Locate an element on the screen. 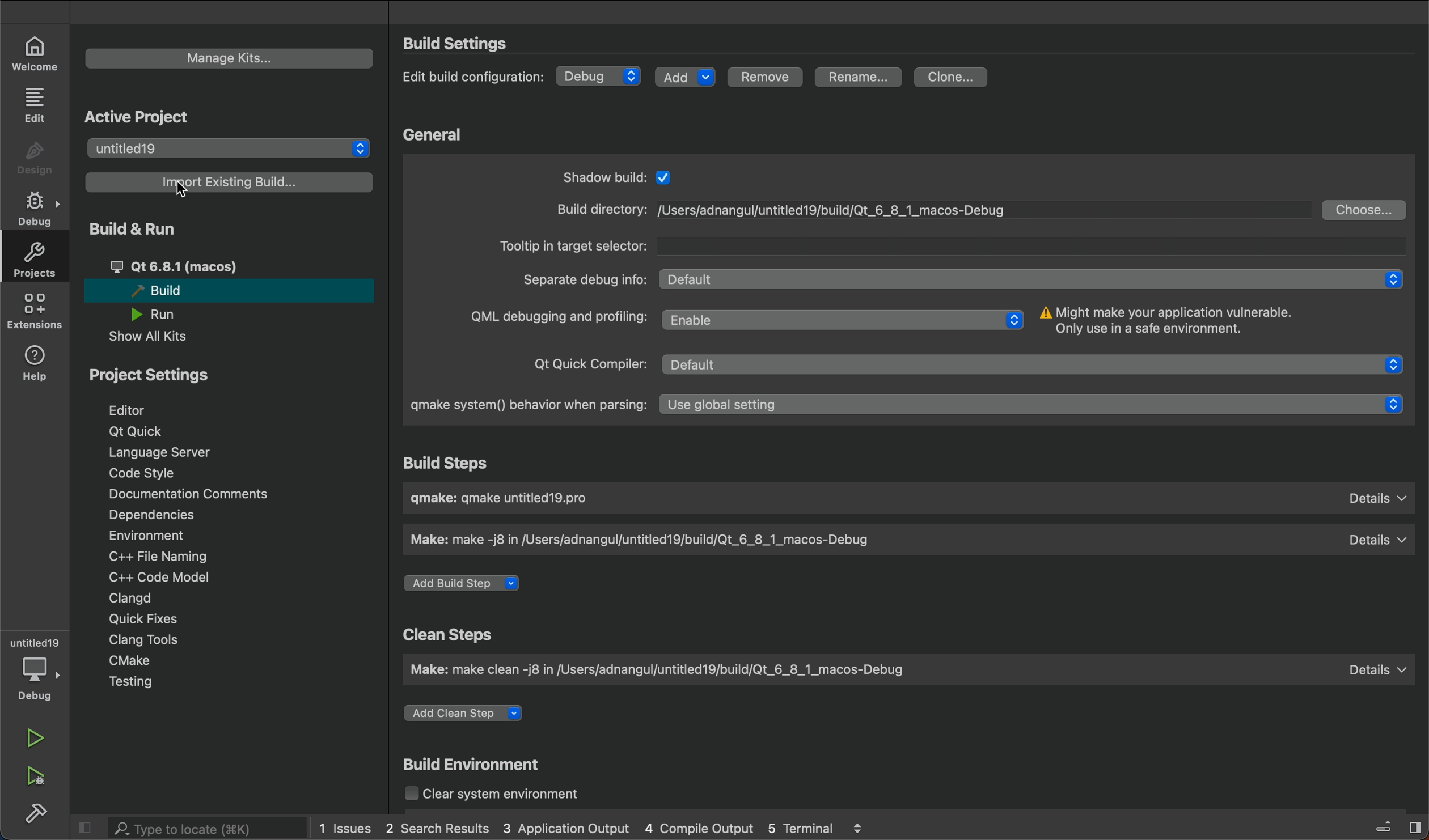  add is located at coordinates (683, 75).